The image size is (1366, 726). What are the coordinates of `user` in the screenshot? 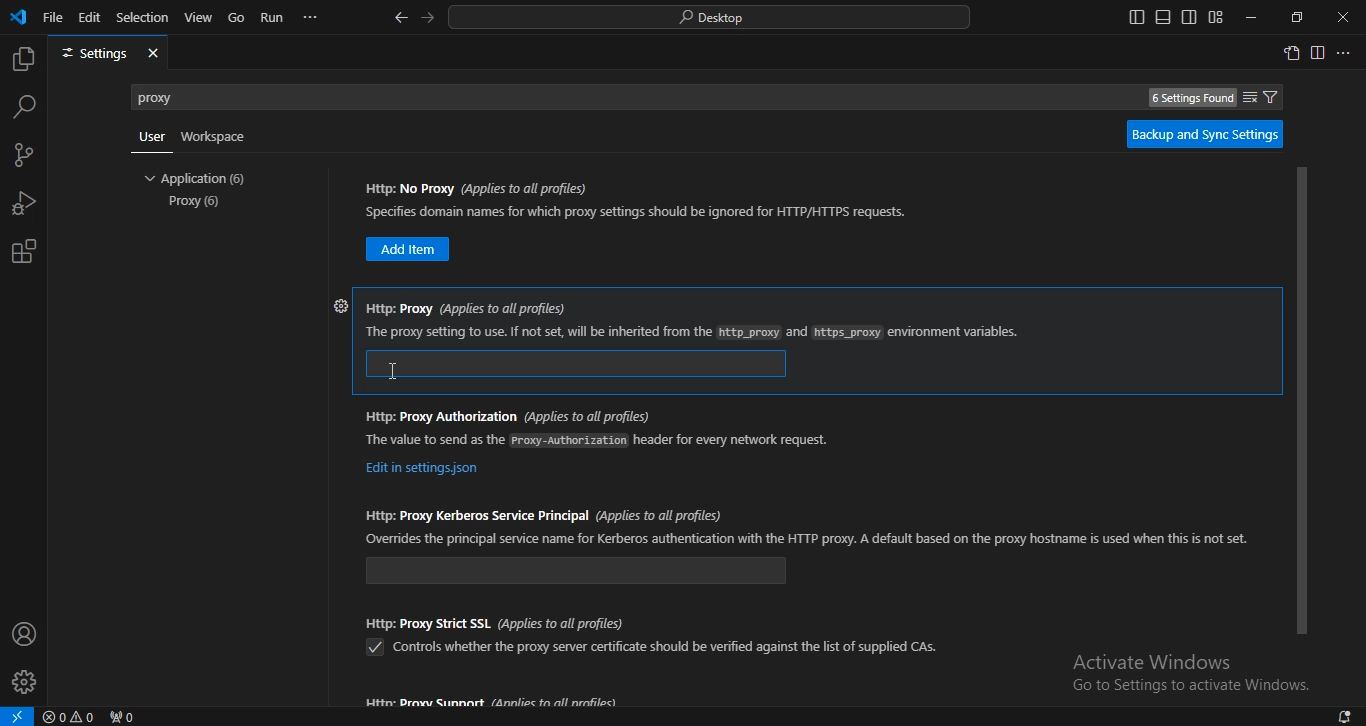 It's located at (151, 137).